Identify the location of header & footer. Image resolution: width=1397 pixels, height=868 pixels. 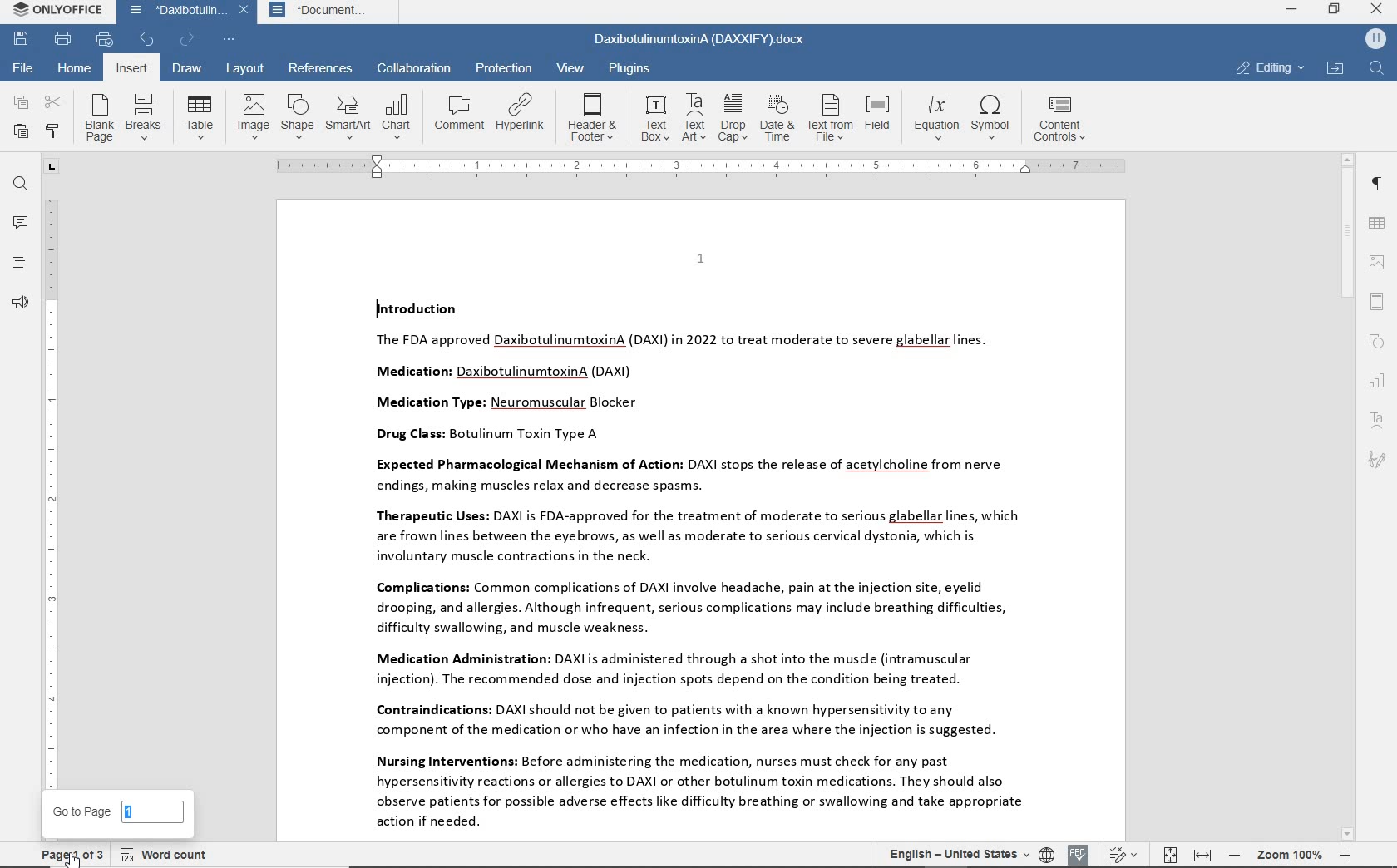
(594, 116).